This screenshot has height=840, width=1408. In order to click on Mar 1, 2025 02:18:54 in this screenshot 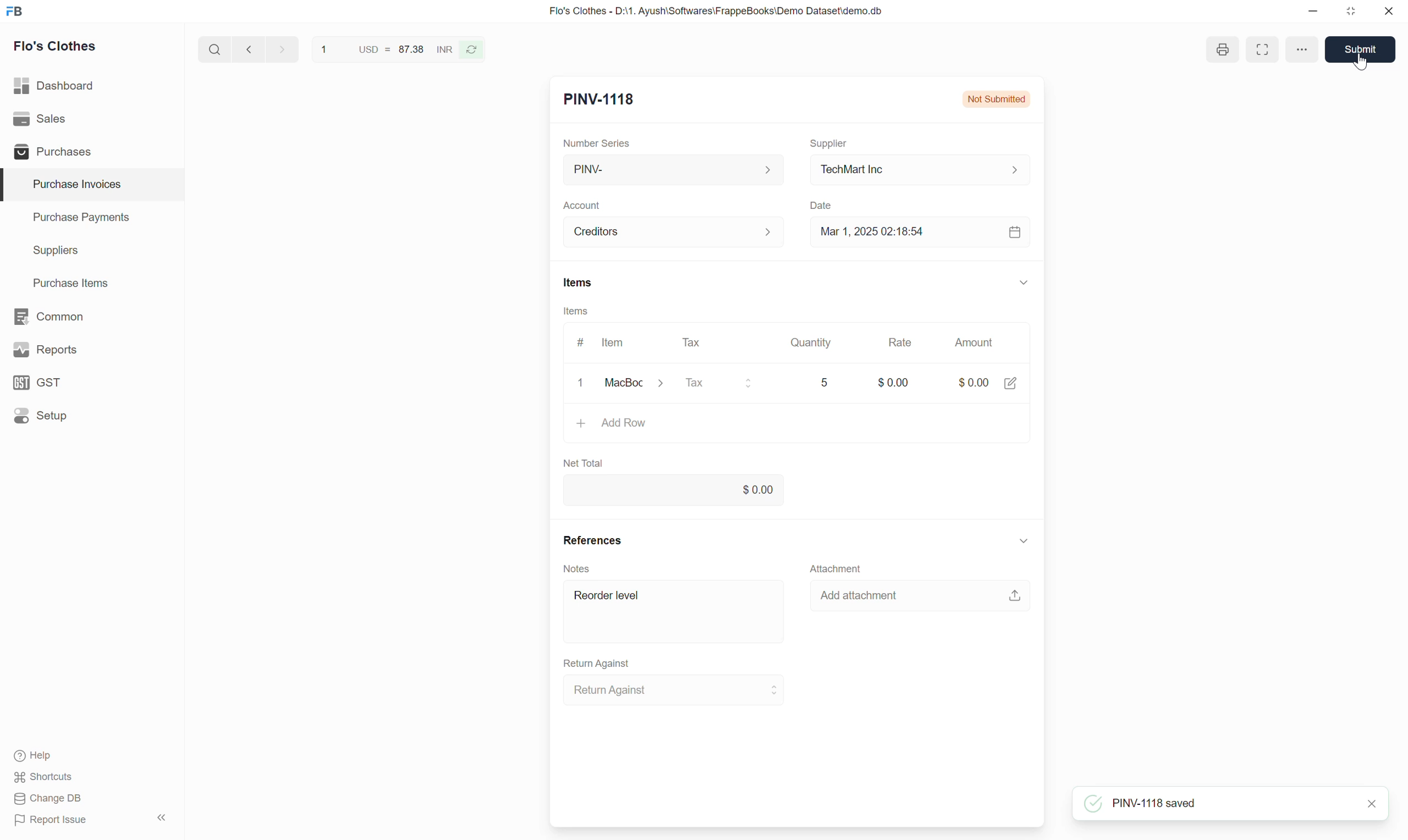, I will do `click(921, 231)`.